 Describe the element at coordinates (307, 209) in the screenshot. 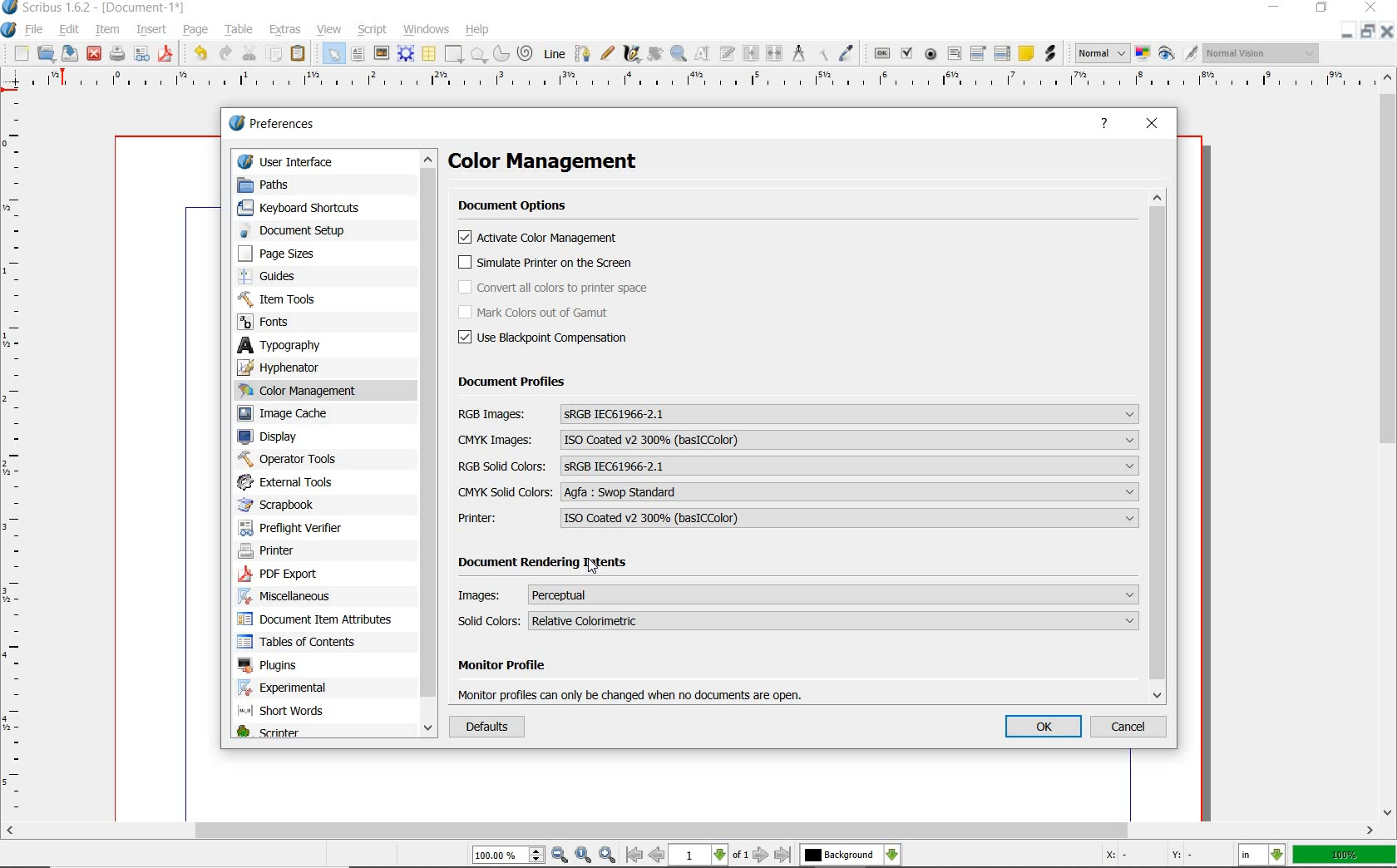

I see `keyboard shortcuts` at that location.